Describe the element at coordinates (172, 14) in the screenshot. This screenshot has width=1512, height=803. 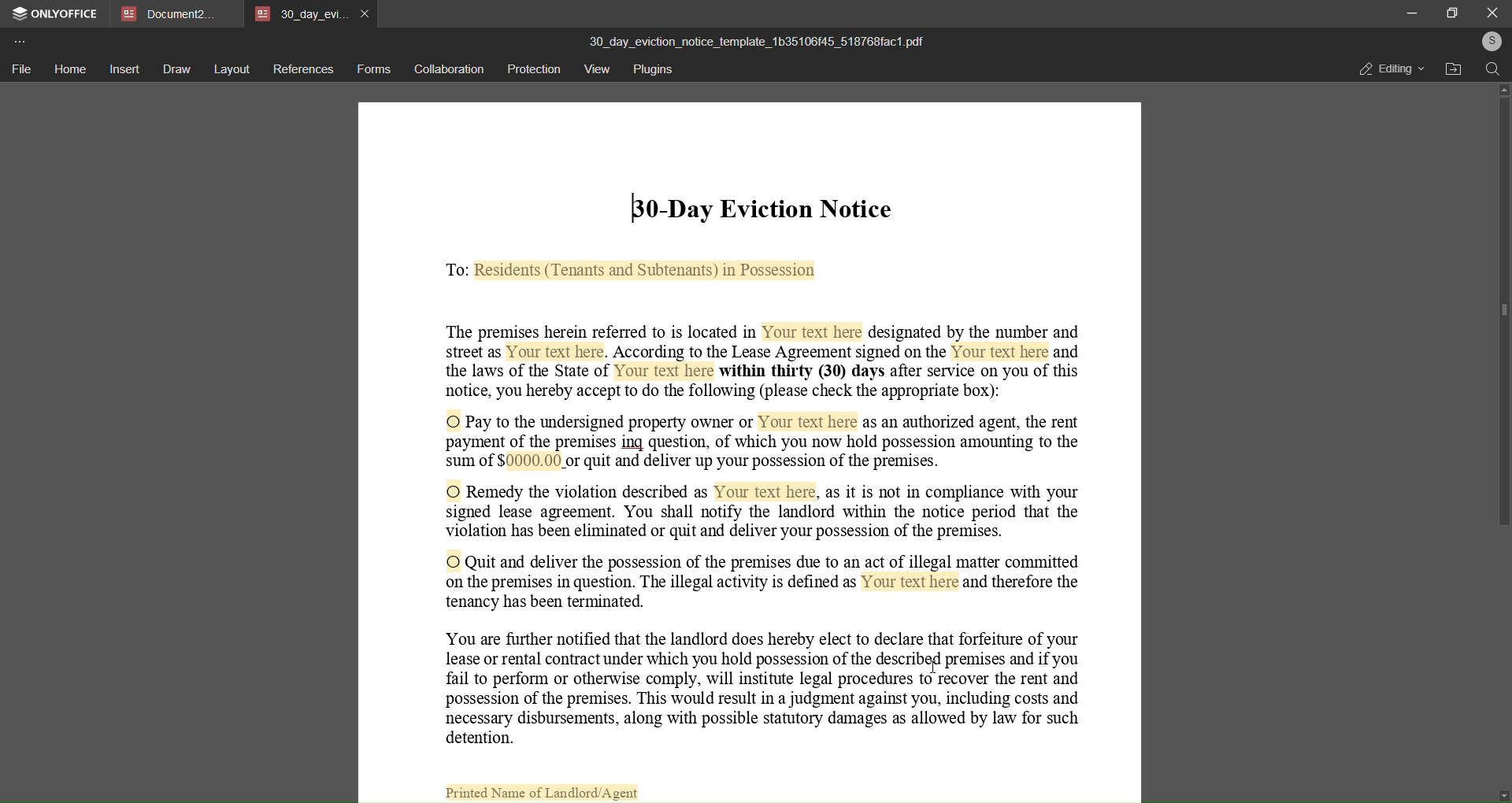
I see `tab name` at that location.